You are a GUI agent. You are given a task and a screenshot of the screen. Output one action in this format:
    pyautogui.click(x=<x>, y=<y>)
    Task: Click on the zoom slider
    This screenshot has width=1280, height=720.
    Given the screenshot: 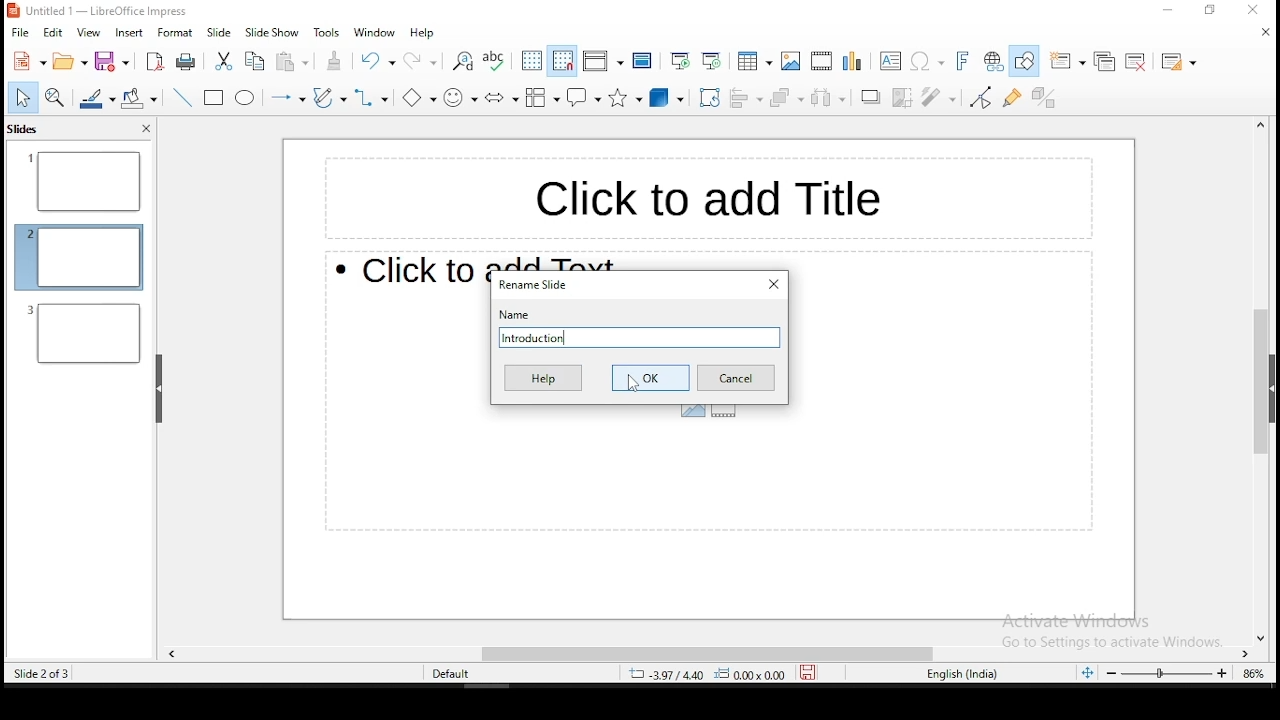 What is the action you would take?
    pyautogui.click(x=1167, y=673)
    